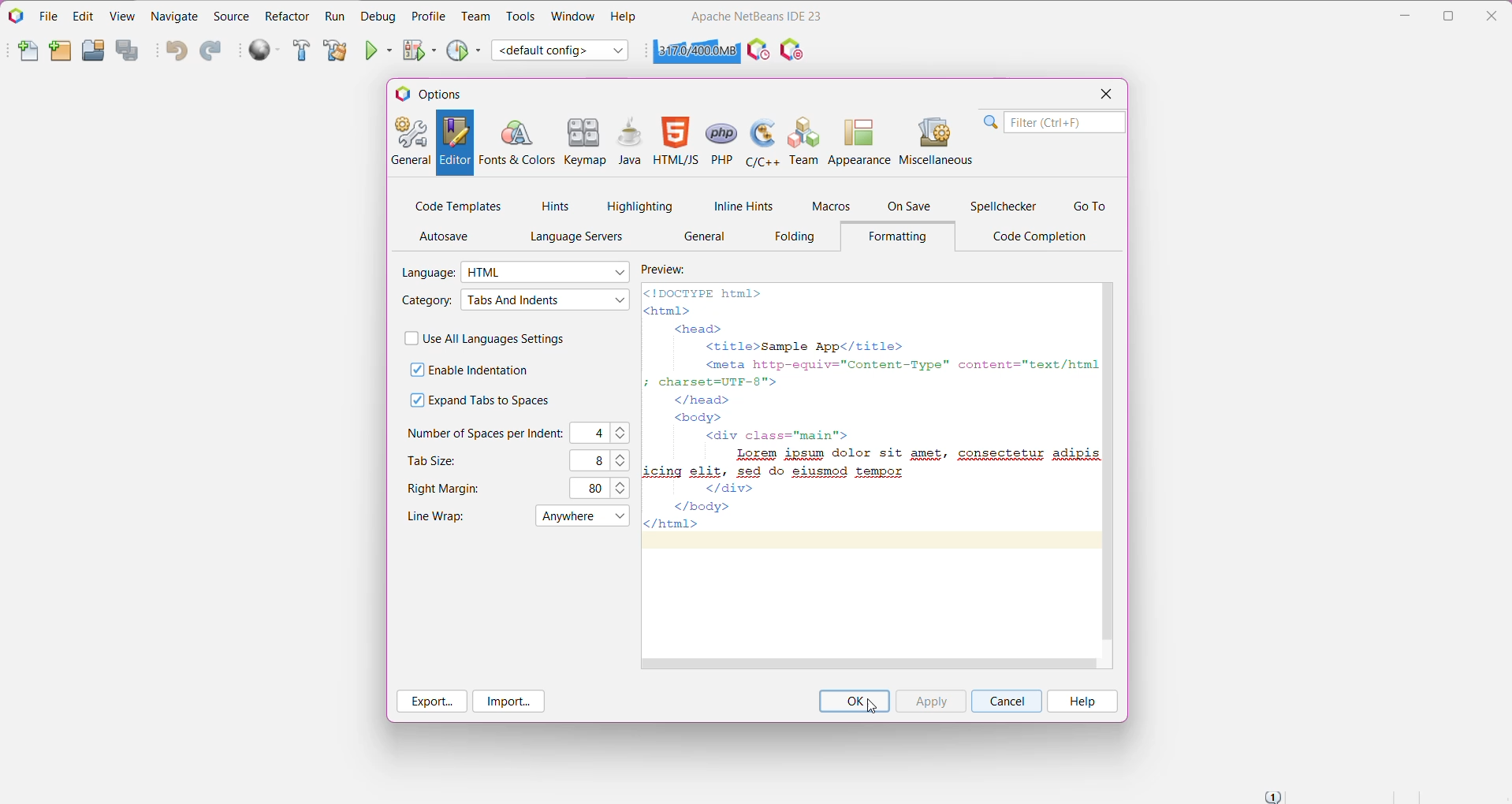  What do you see at coordinates (28, 54) in the screenshot?
I see `New File` at bounding box center [28, 54].